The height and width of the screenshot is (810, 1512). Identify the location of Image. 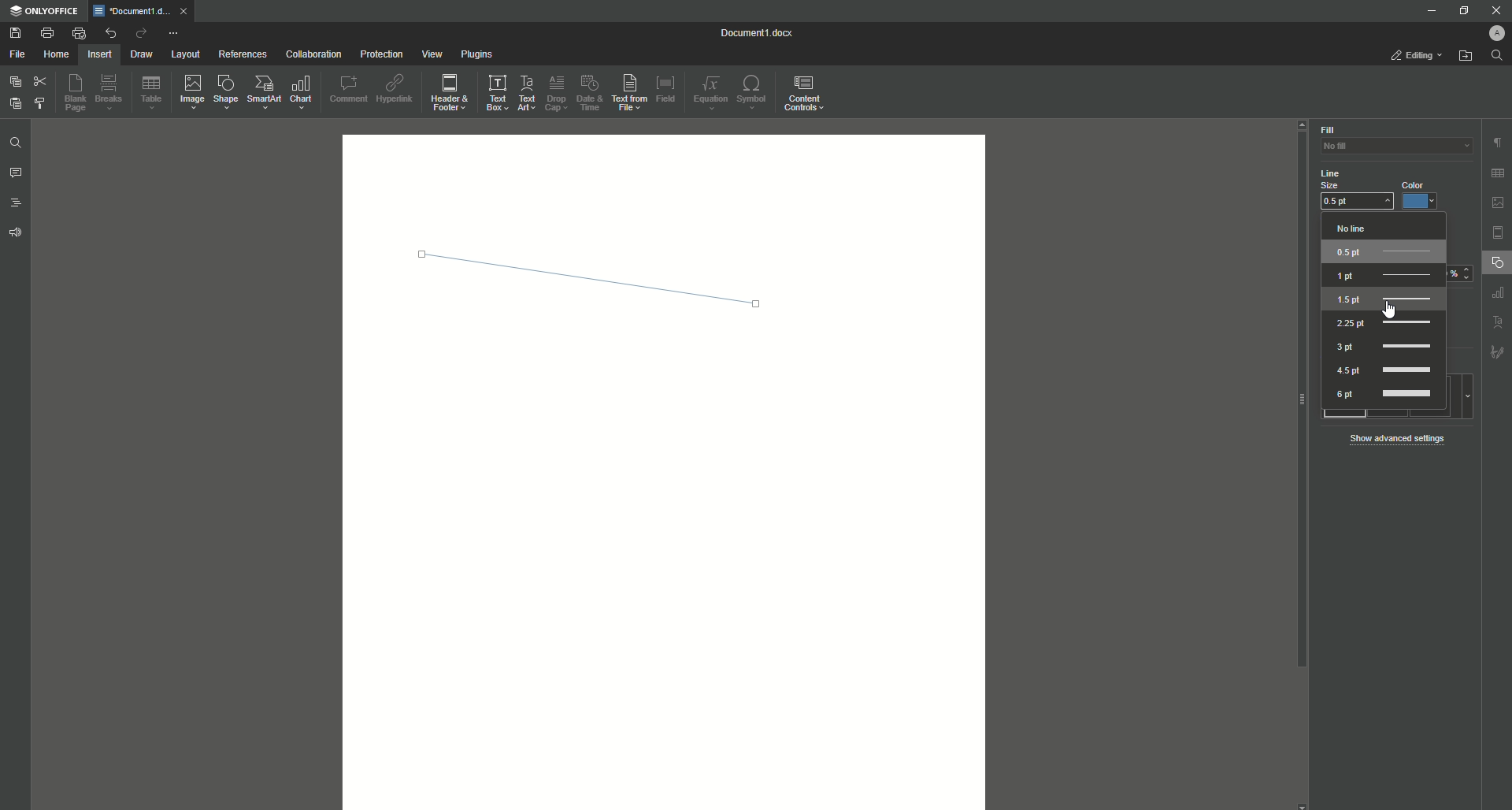
(194, 94).